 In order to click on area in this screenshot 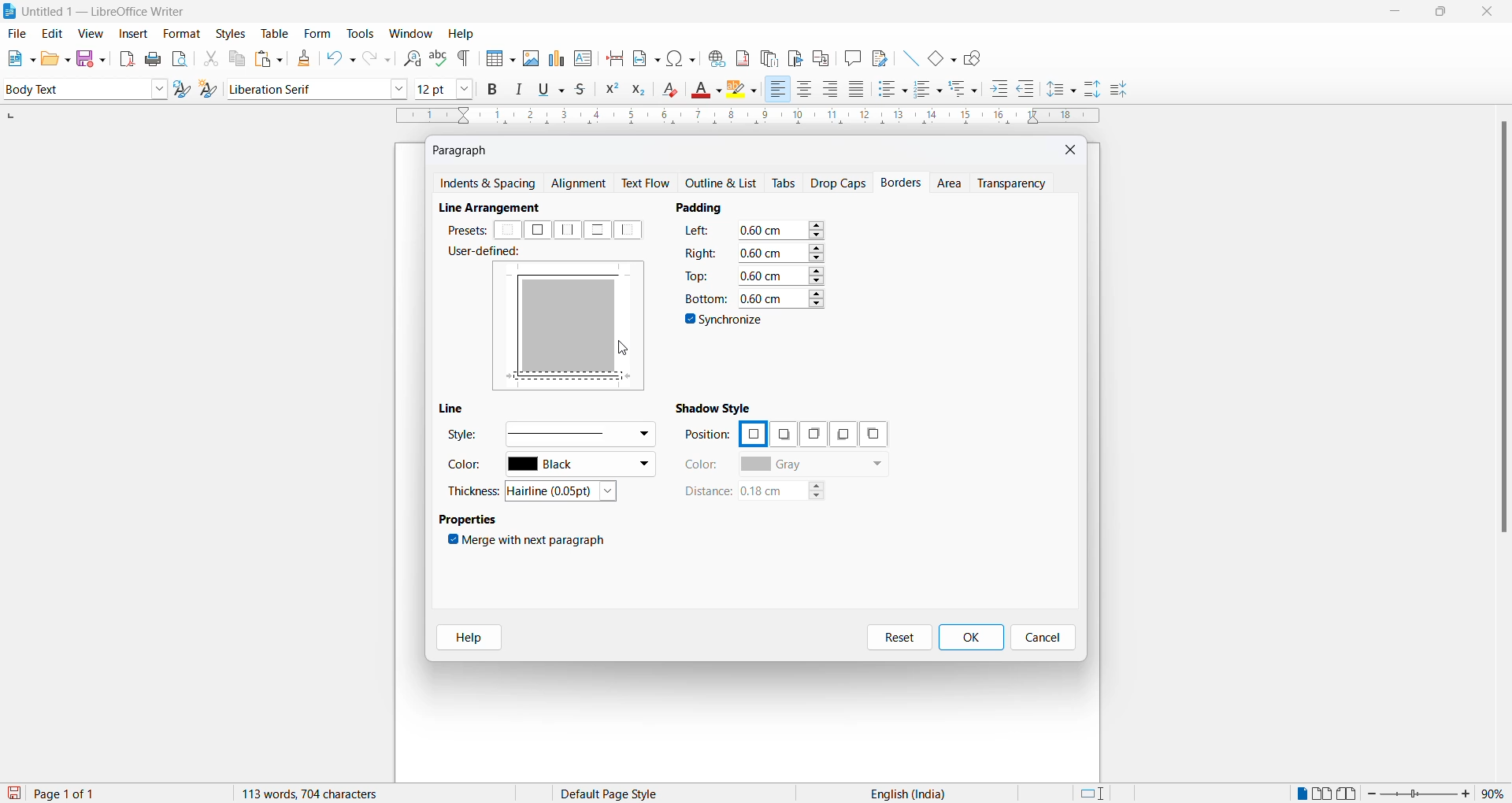, I will do `click(951, 184)`.